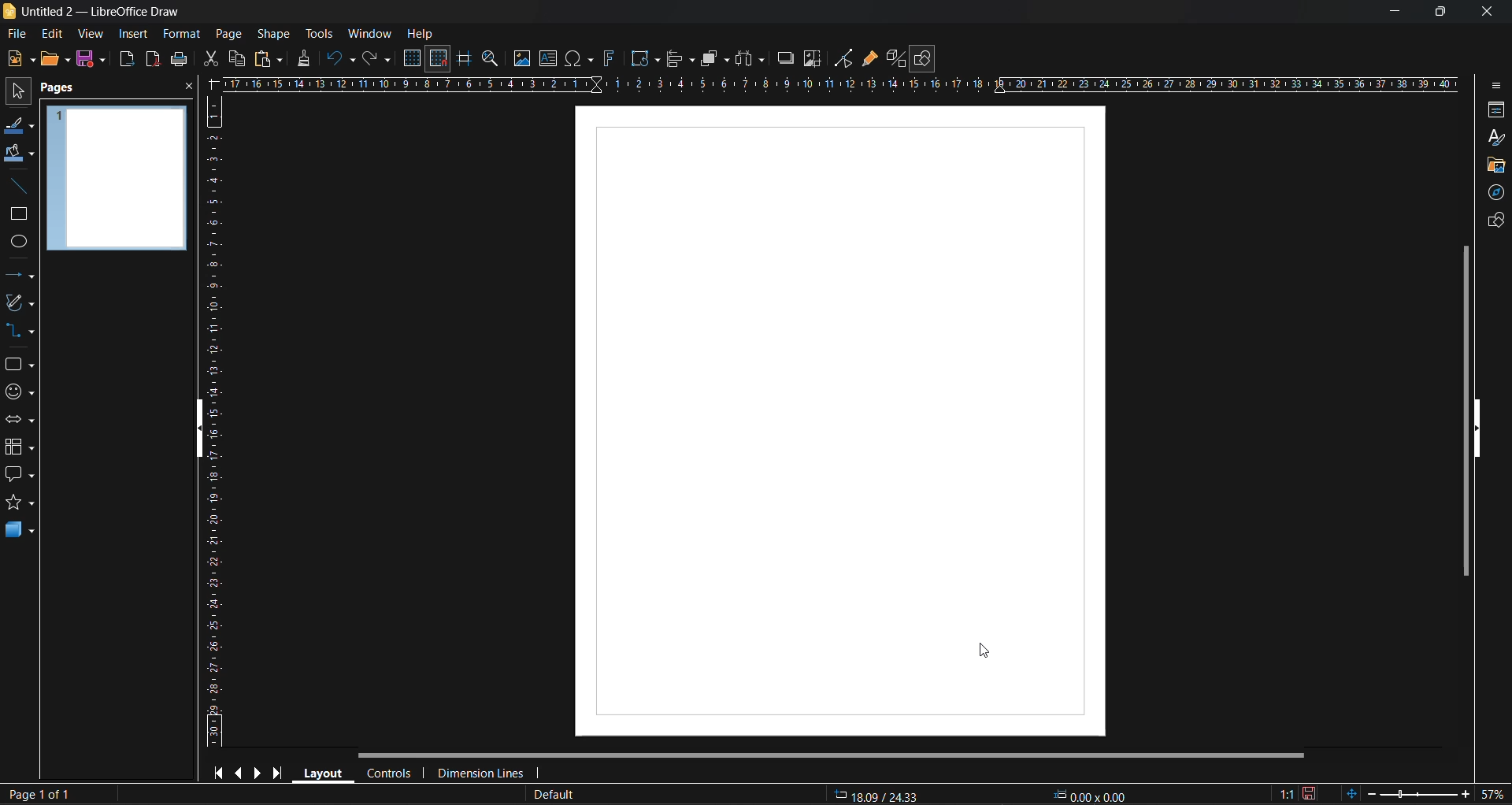 The image size is (1512, 805). What do you see at coordinates (213, 425) in the screenshot?
I see `vertical ruler` at bounding box center [213, 425].